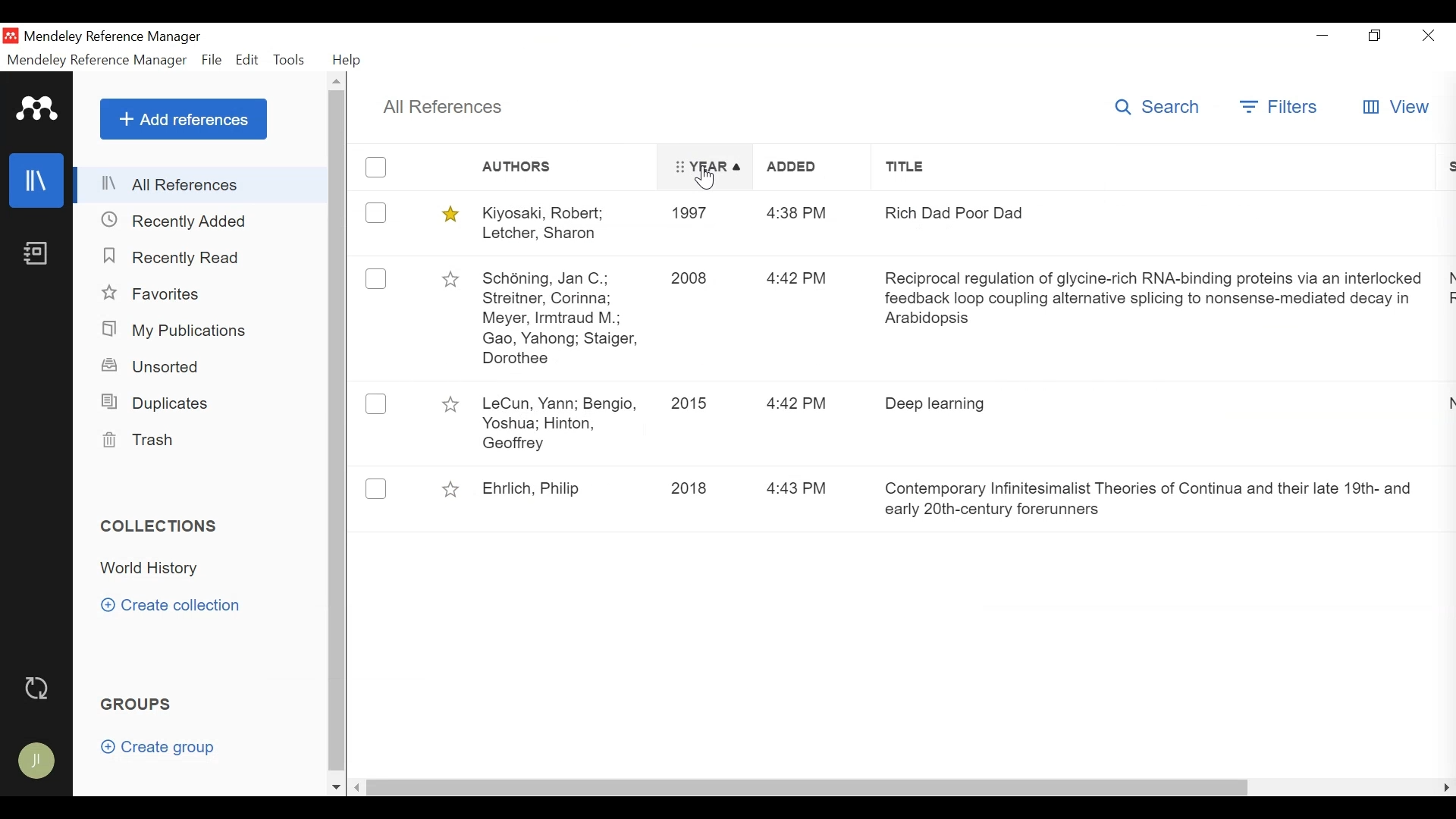  Describe the element at coordinates (695, 488) in the screenshot. I see `2018` at that location.